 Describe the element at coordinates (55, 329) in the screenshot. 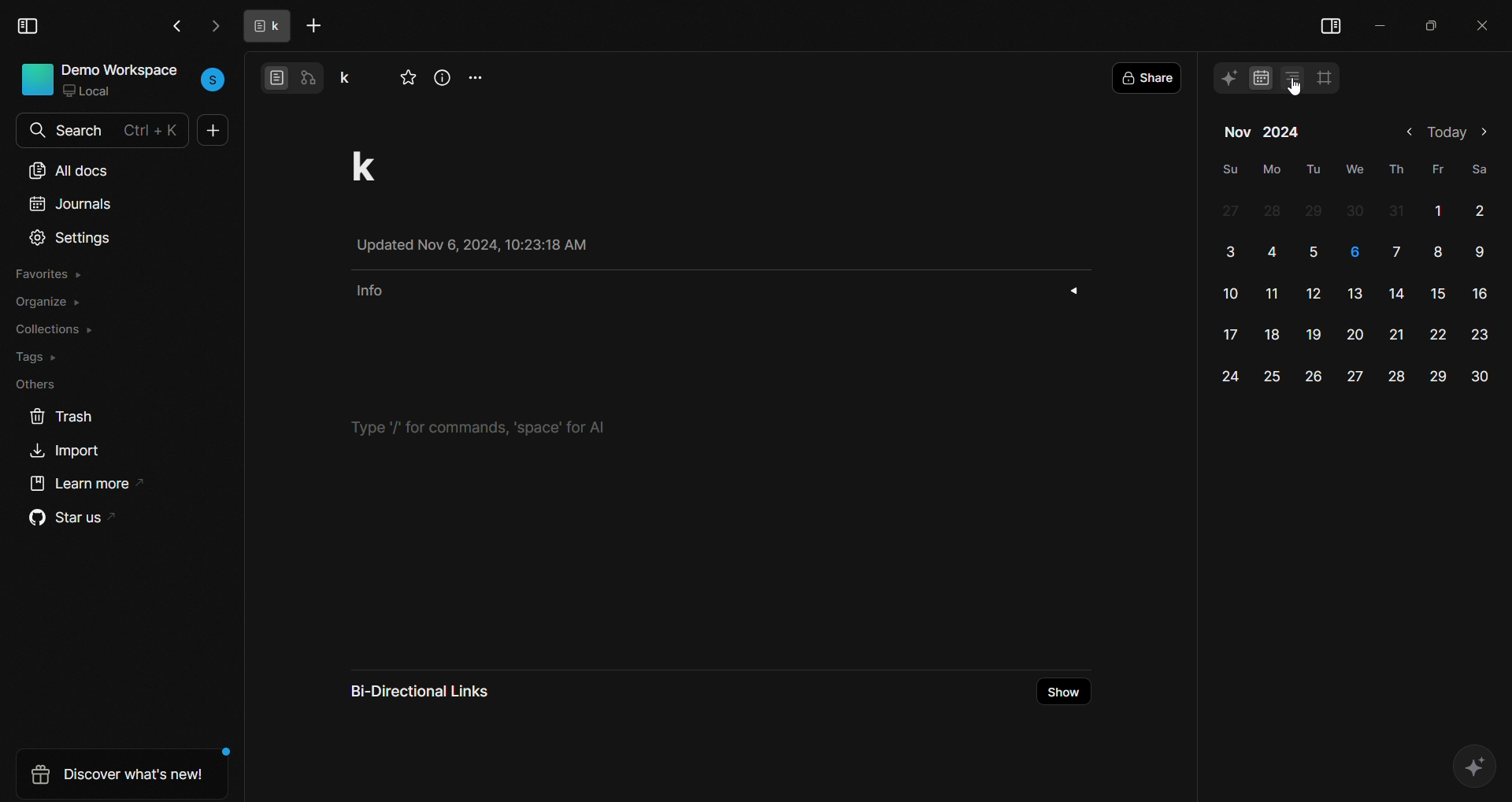

I see `collections` at that location.